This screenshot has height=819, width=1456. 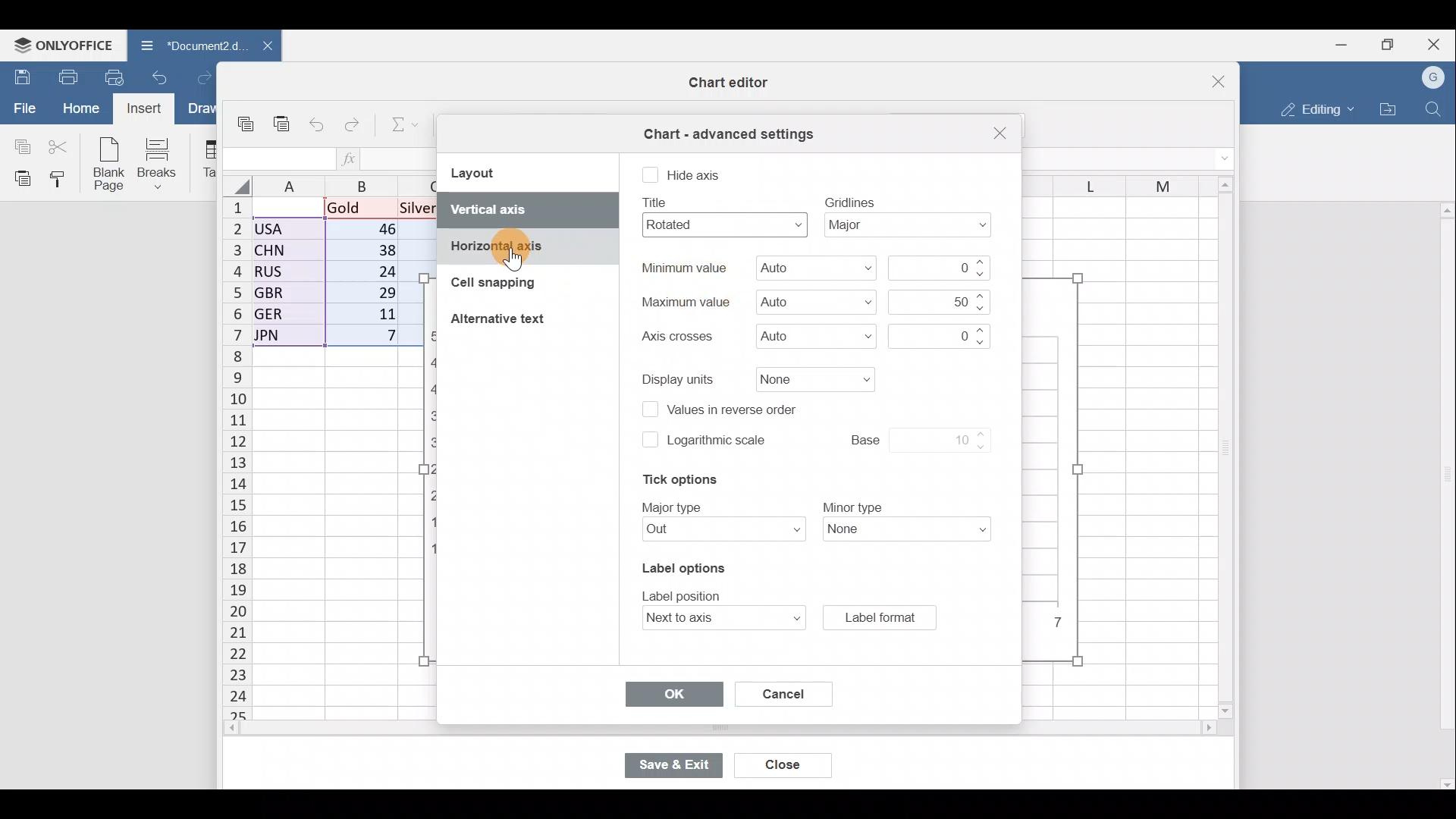 I want to click on Hide axis, so click(x=697, y=174).